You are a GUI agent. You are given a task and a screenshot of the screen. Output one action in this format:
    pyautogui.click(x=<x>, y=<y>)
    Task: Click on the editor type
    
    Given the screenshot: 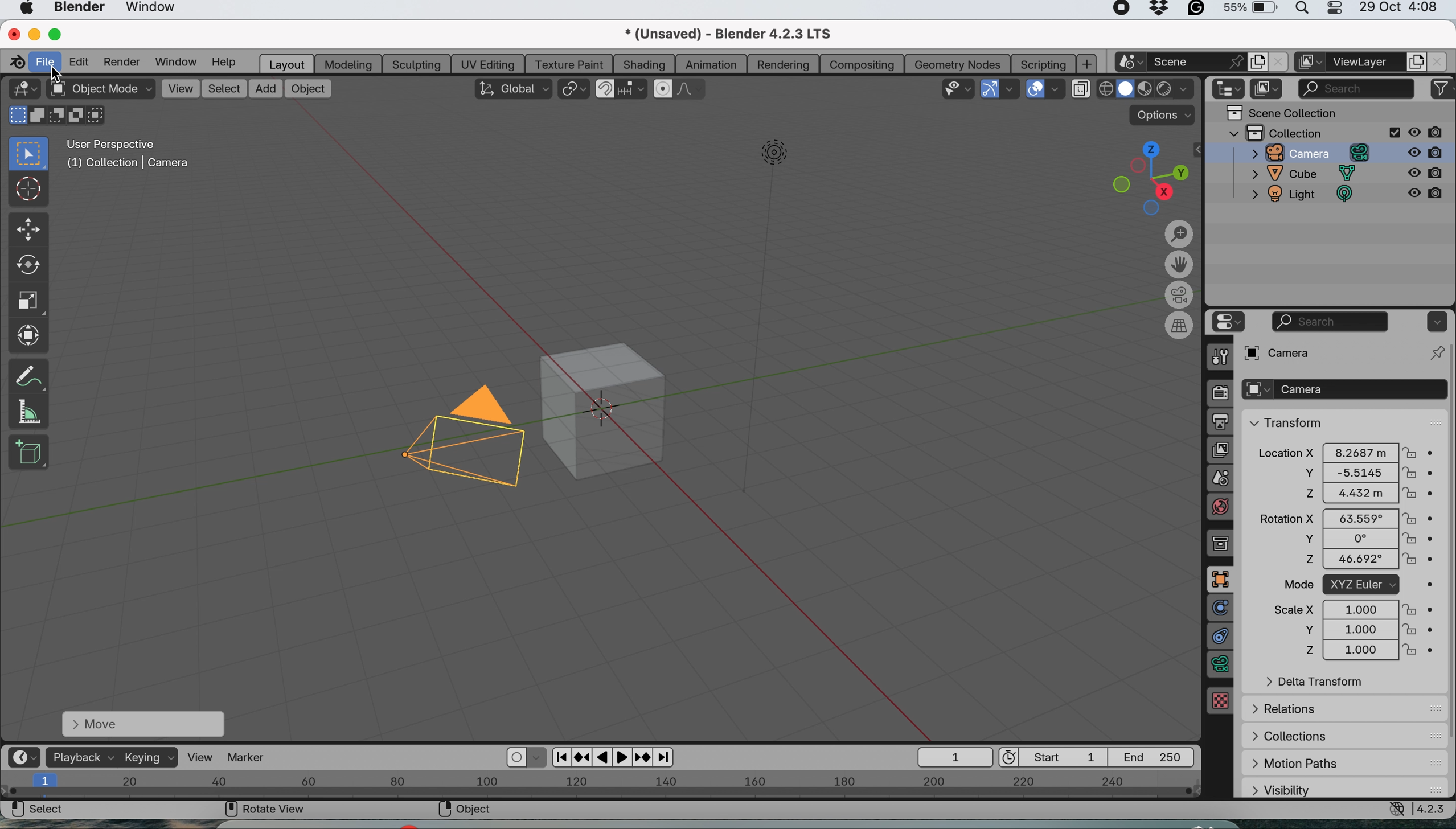 What is the action you would take?
    pyautogui.click(x=1225, y=322)
    